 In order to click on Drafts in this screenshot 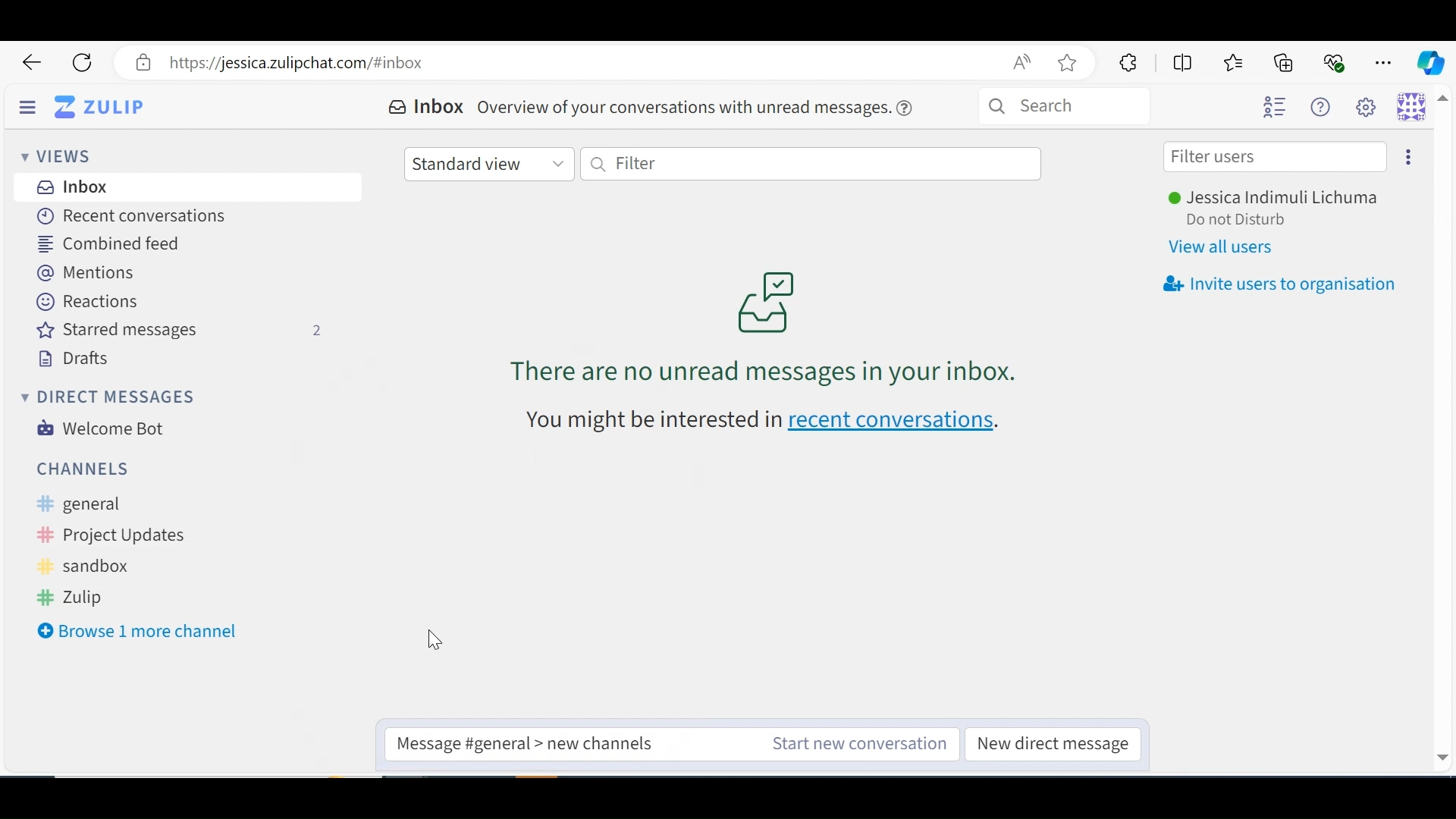, I will do `click(74, 359)`.